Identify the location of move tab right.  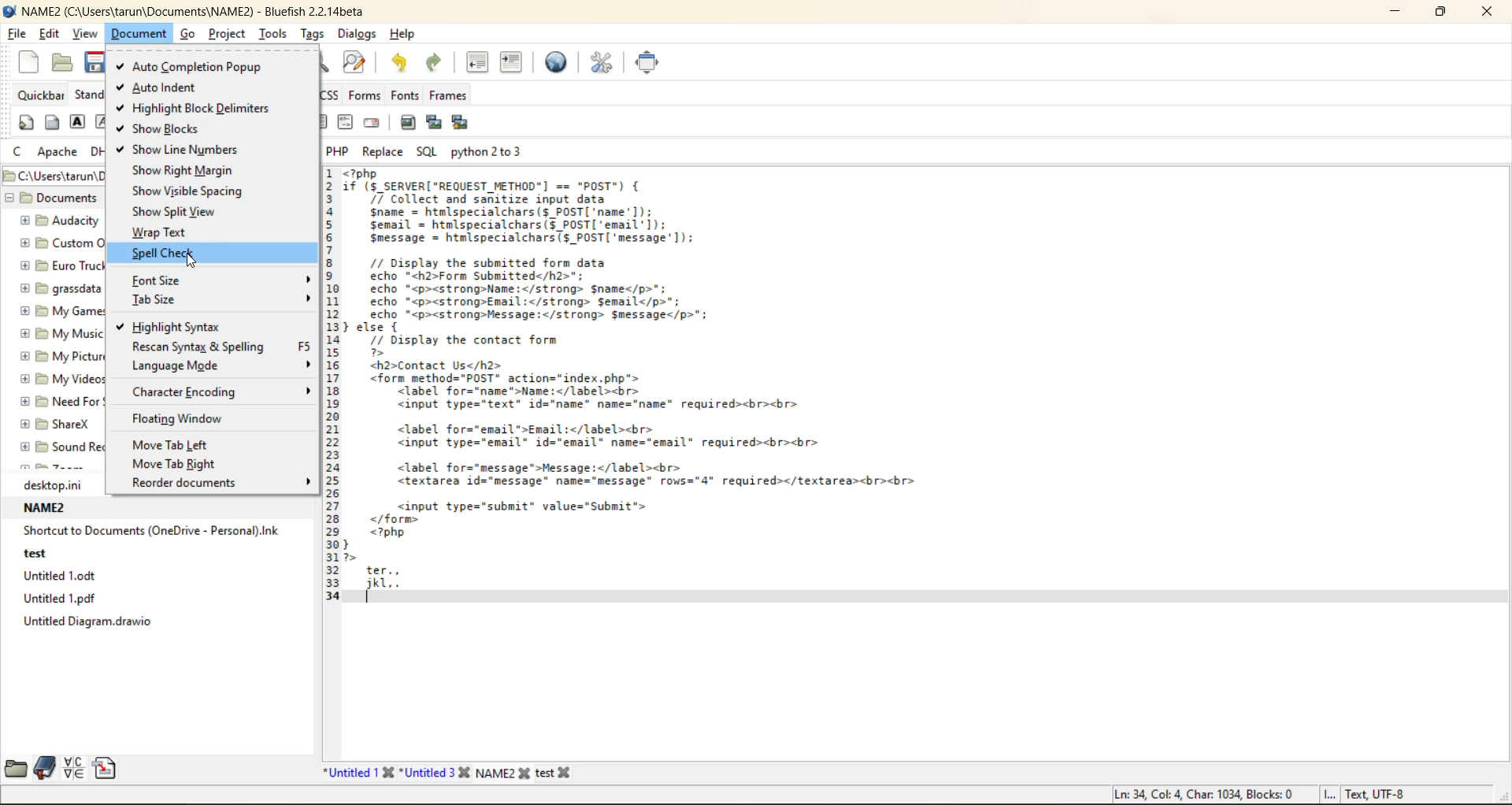
(179, 466).